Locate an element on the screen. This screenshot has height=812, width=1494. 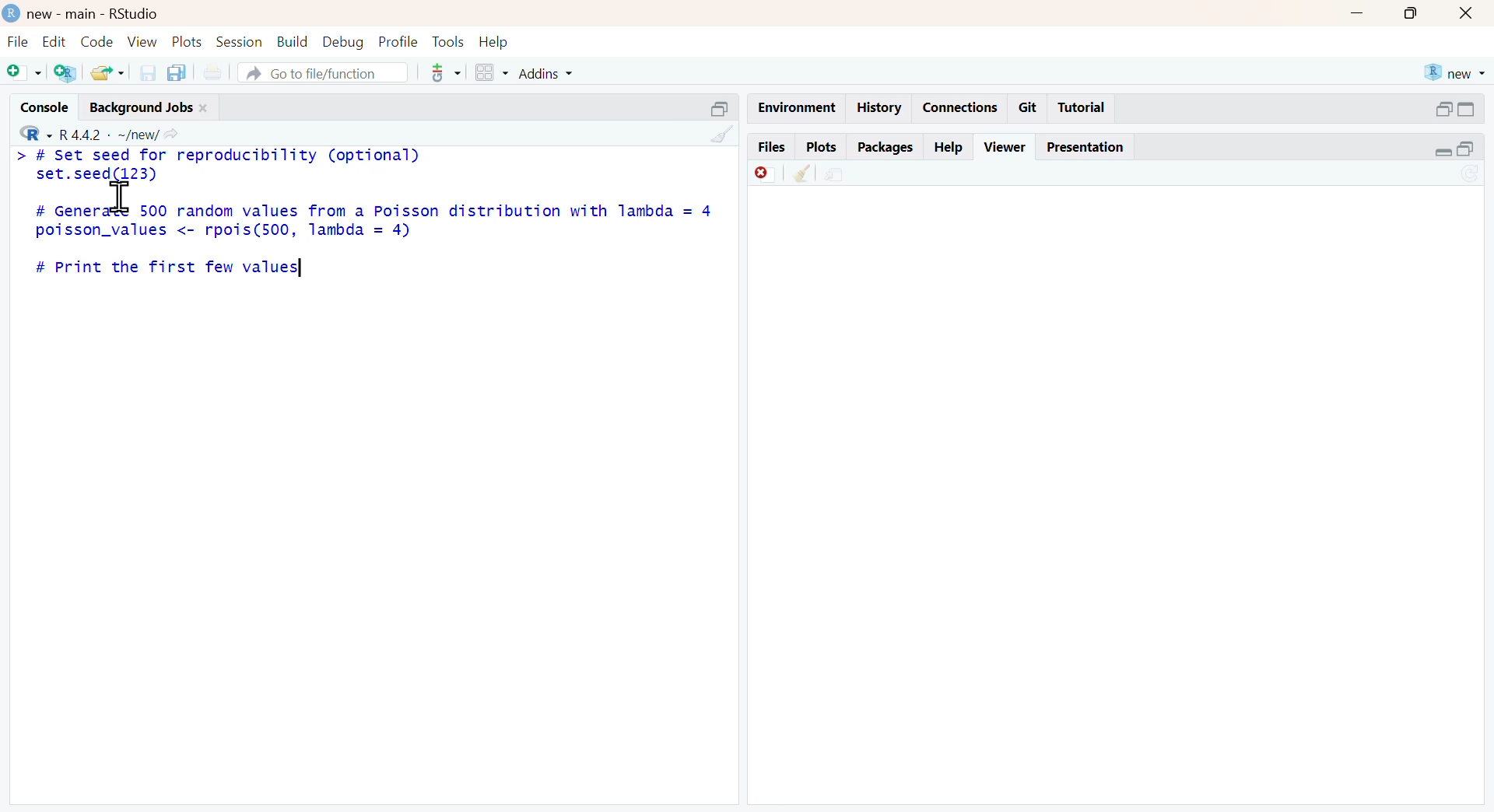
viewer is located at coordinates (1007, 147).